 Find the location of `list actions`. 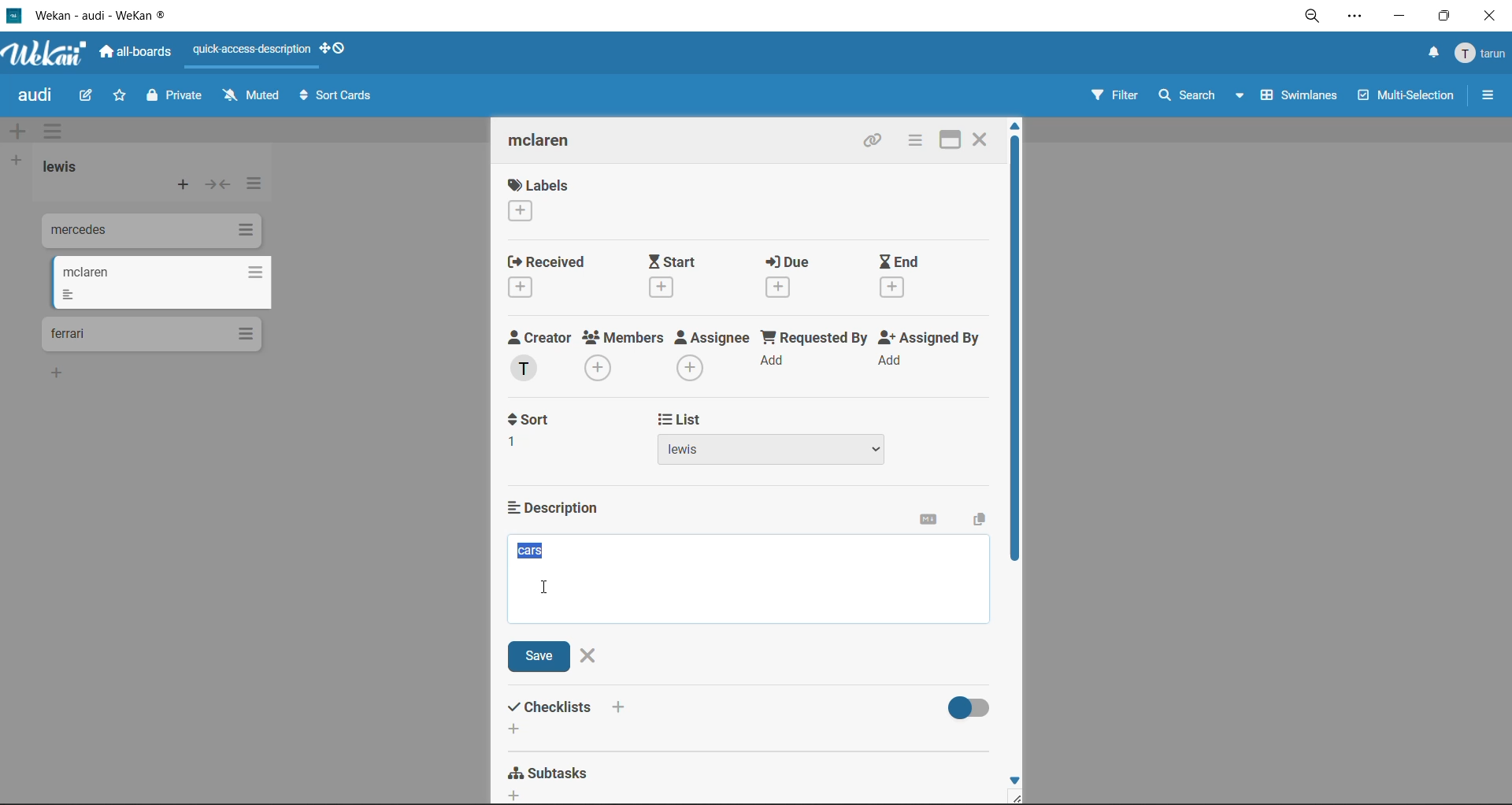

list actions is located at coordinates (251, 187).